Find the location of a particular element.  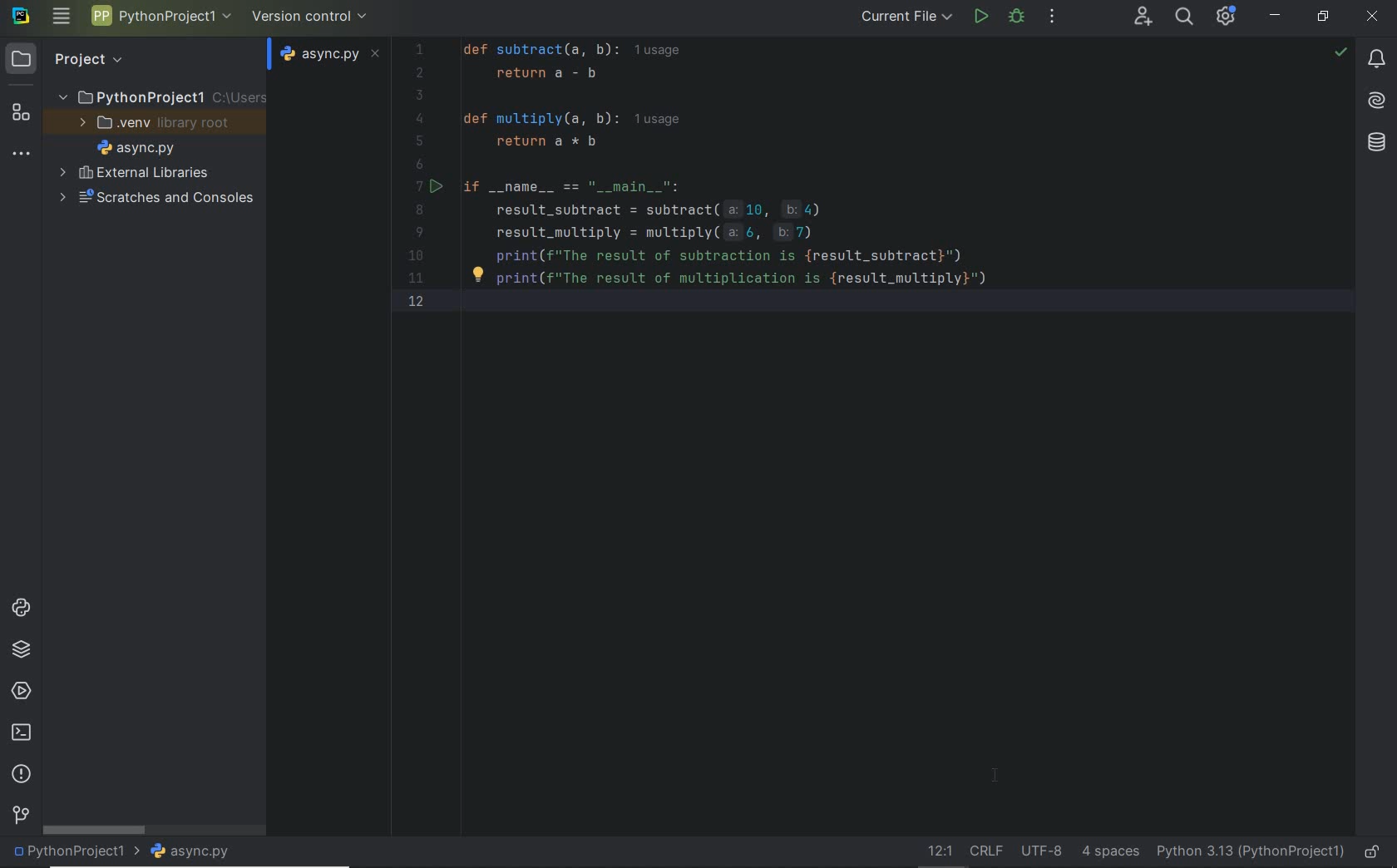

current interpreter is located at coordinates (1249, 850).